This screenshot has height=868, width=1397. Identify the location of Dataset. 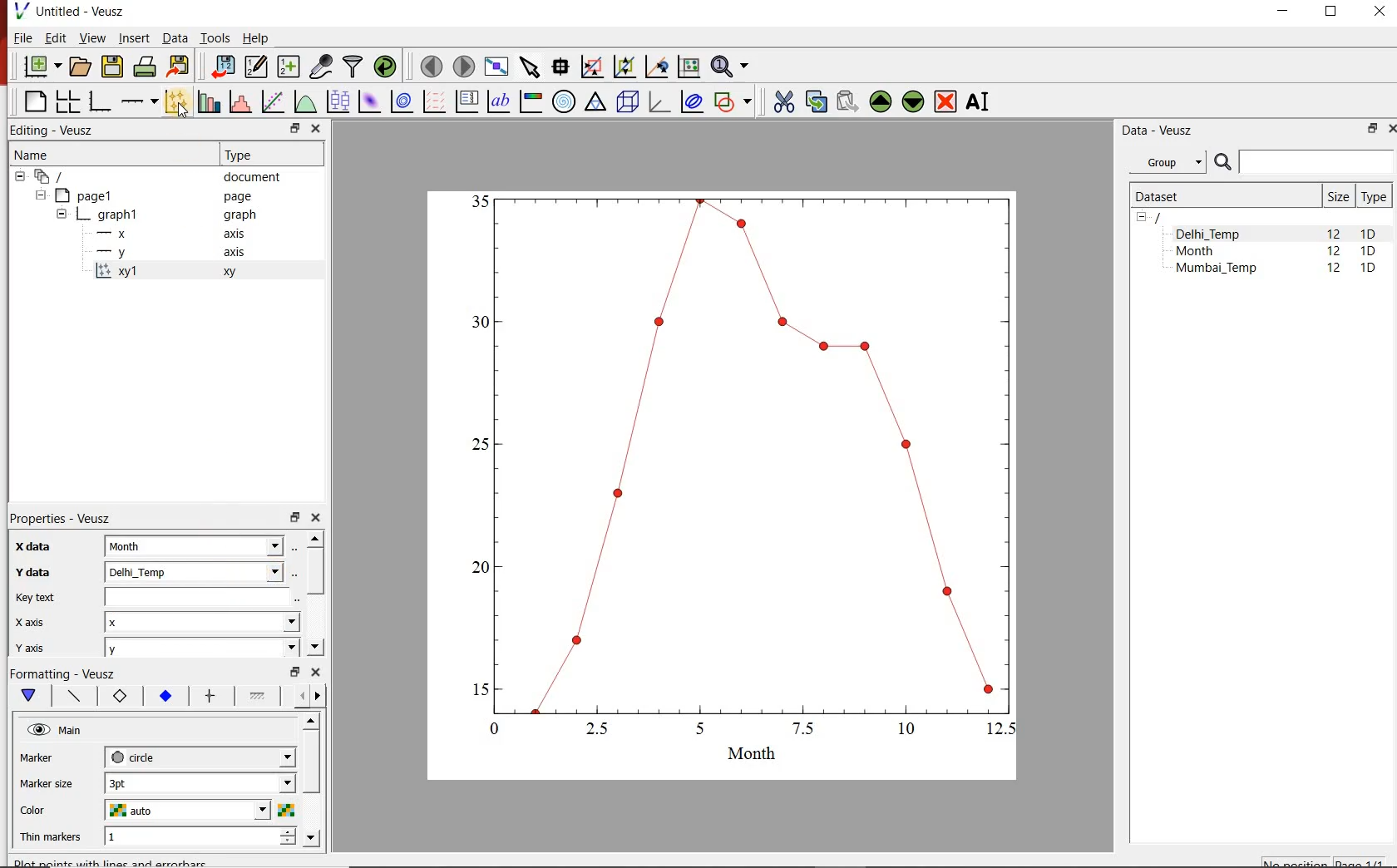
(1221, 196).